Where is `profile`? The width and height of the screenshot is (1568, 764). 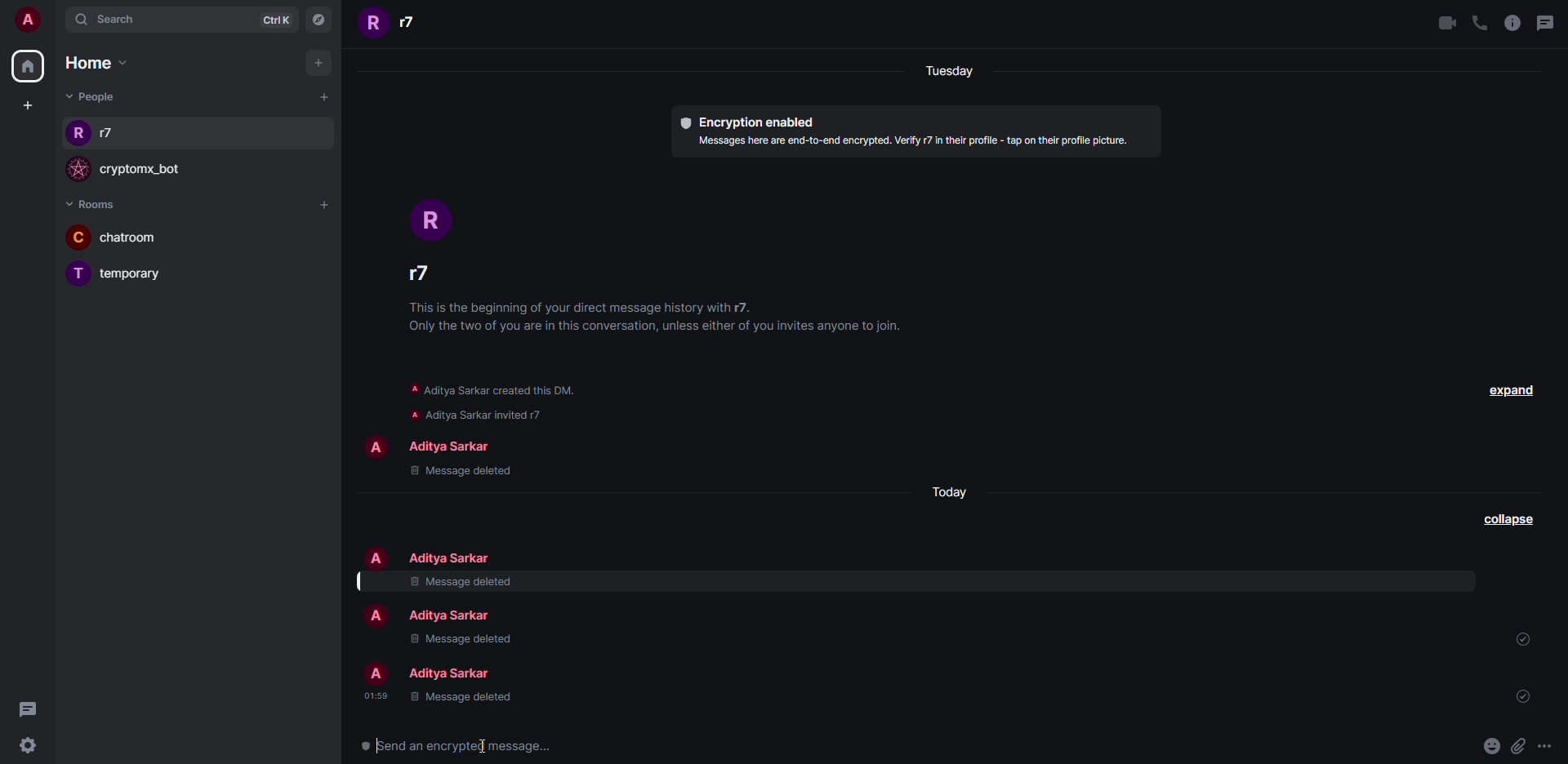
profile is located at coordinates (431, 216).